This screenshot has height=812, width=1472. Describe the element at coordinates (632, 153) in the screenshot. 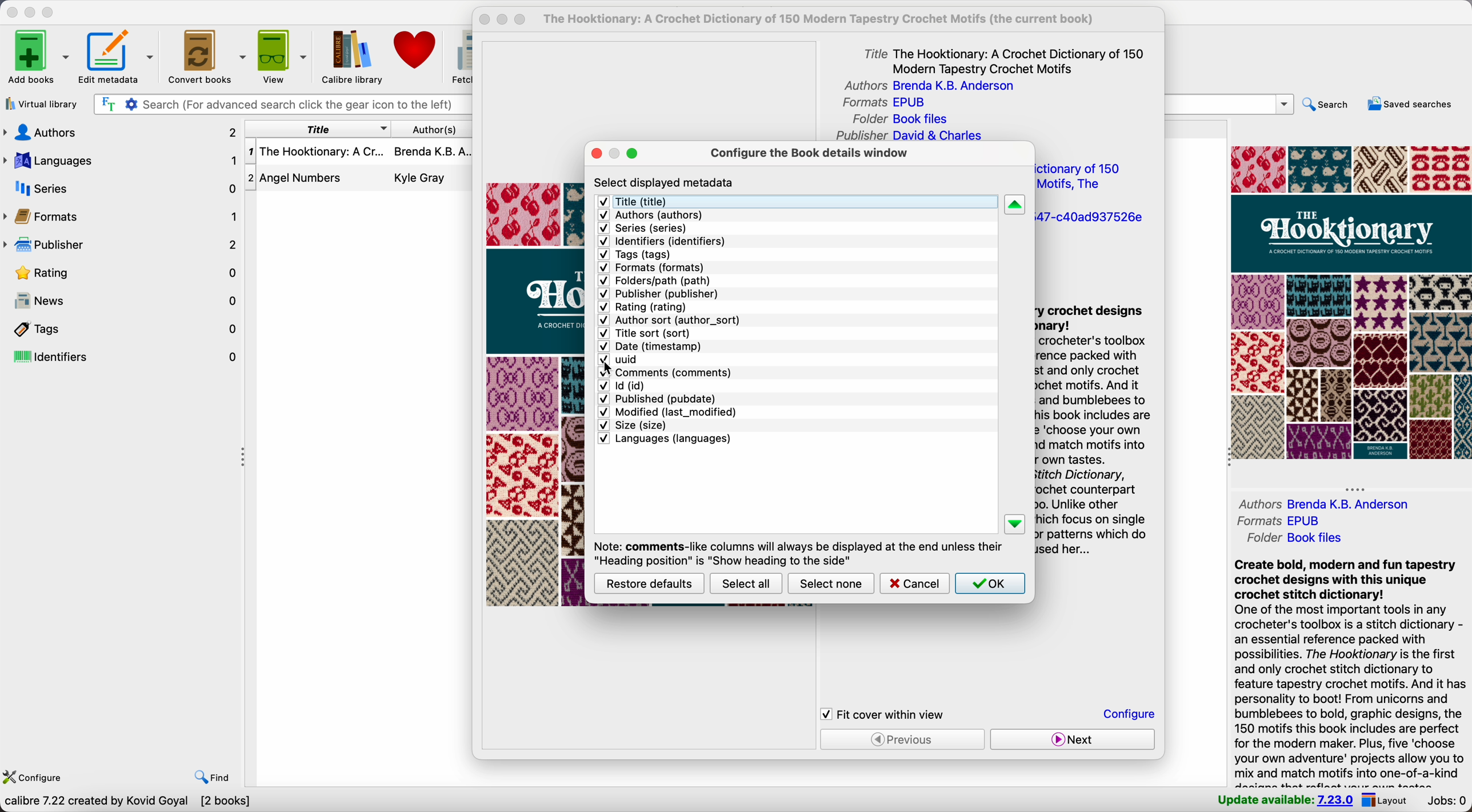

I see `maximize` at that location.